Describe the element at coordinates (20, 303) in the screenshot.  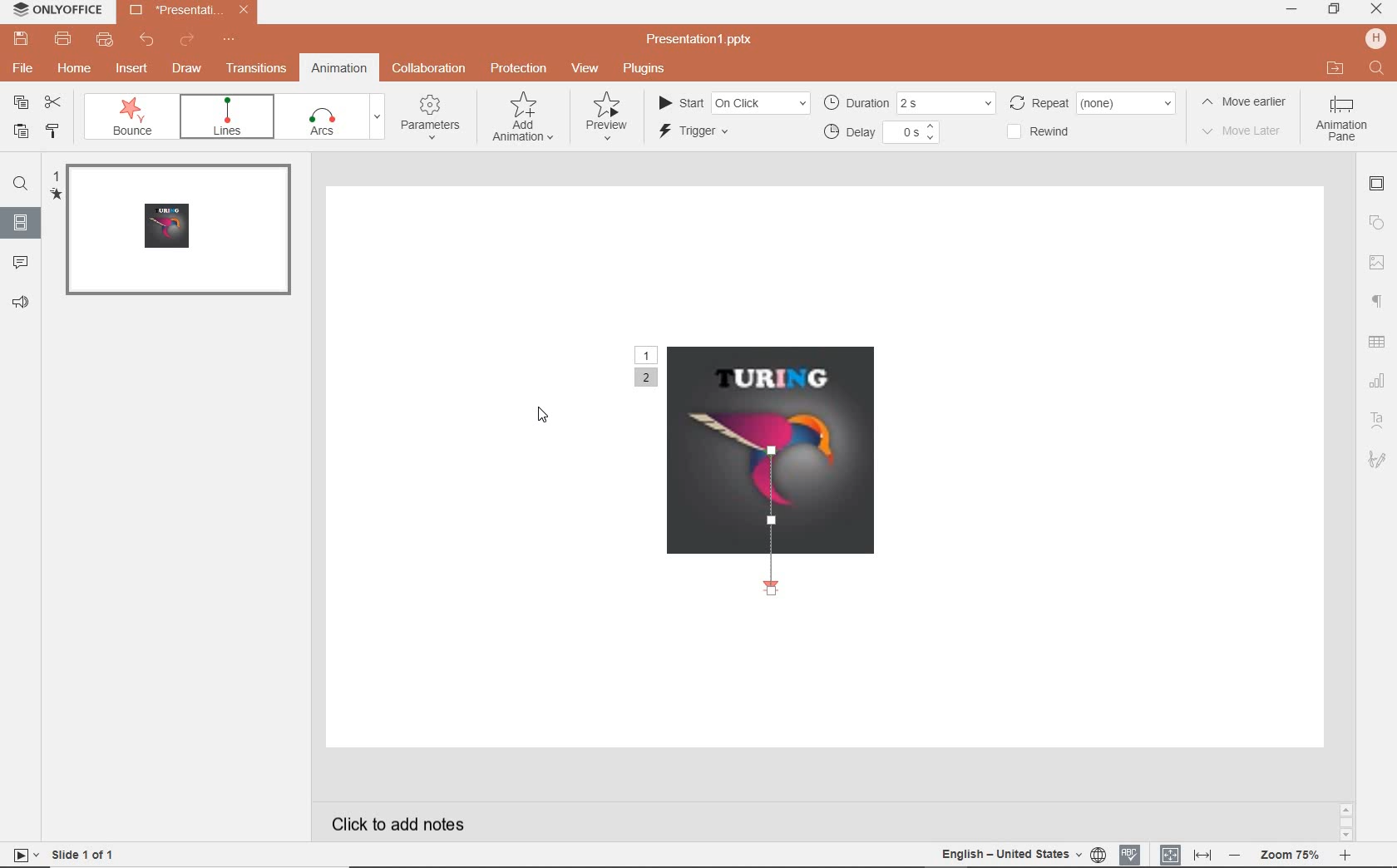
I see `feedback & support` at that location.